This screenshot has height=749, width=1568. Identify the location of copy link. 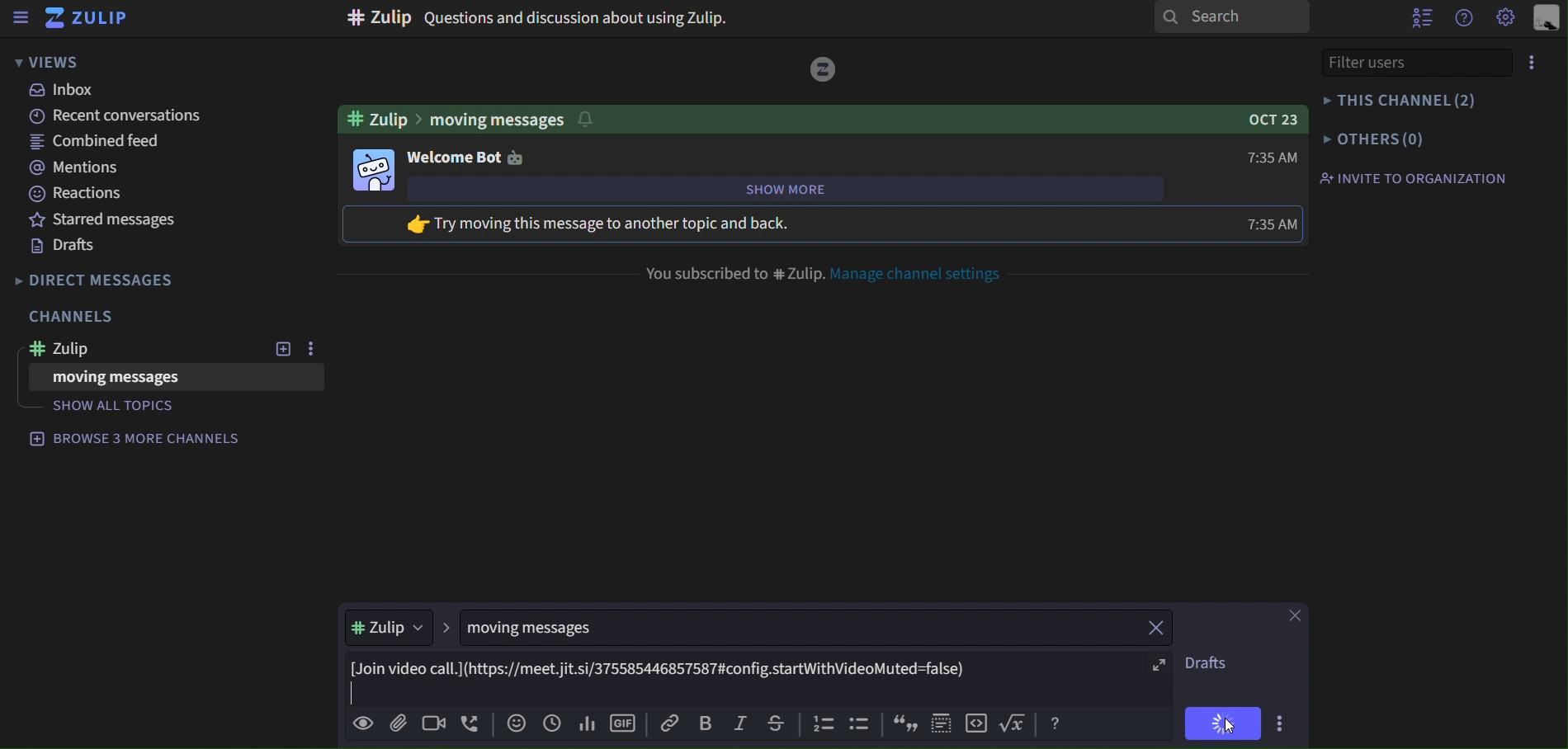
(670, 725).